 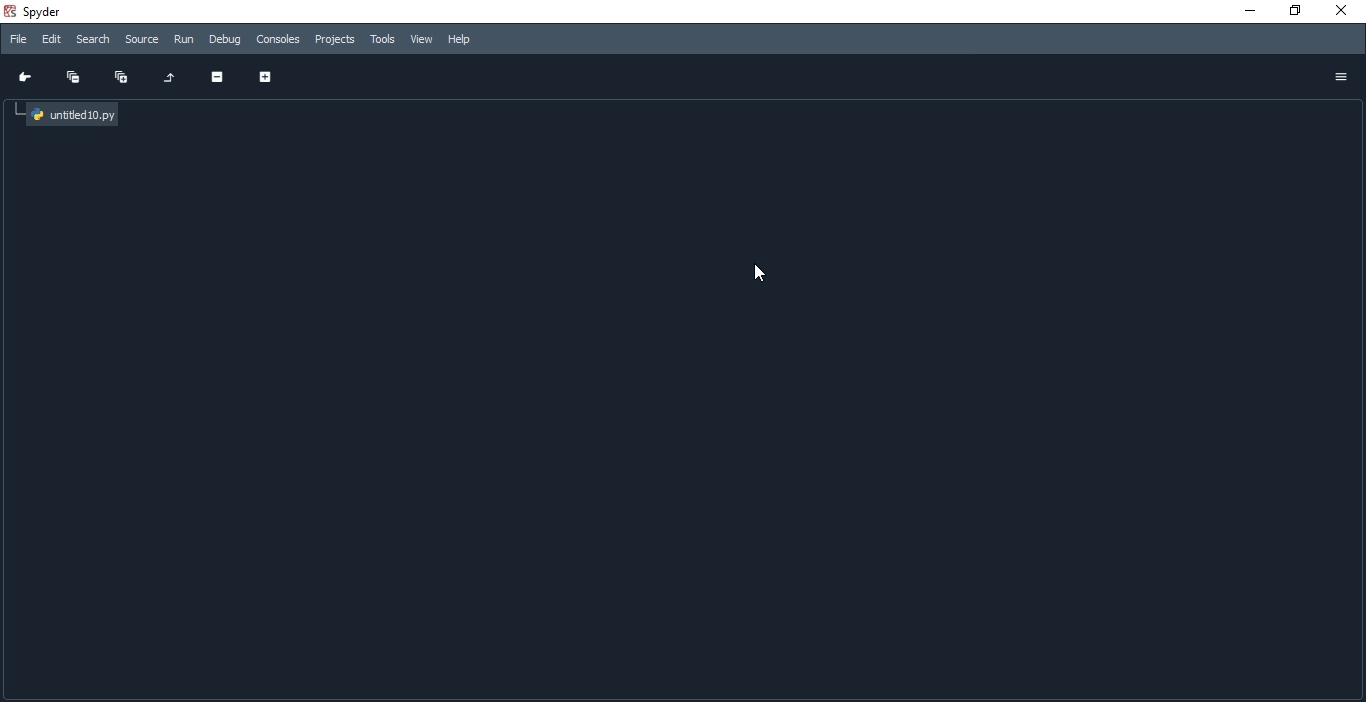 What do you see at coordinates (382, 40) in the screenshot?
I see `Tools` at bounding box center [382, 40].